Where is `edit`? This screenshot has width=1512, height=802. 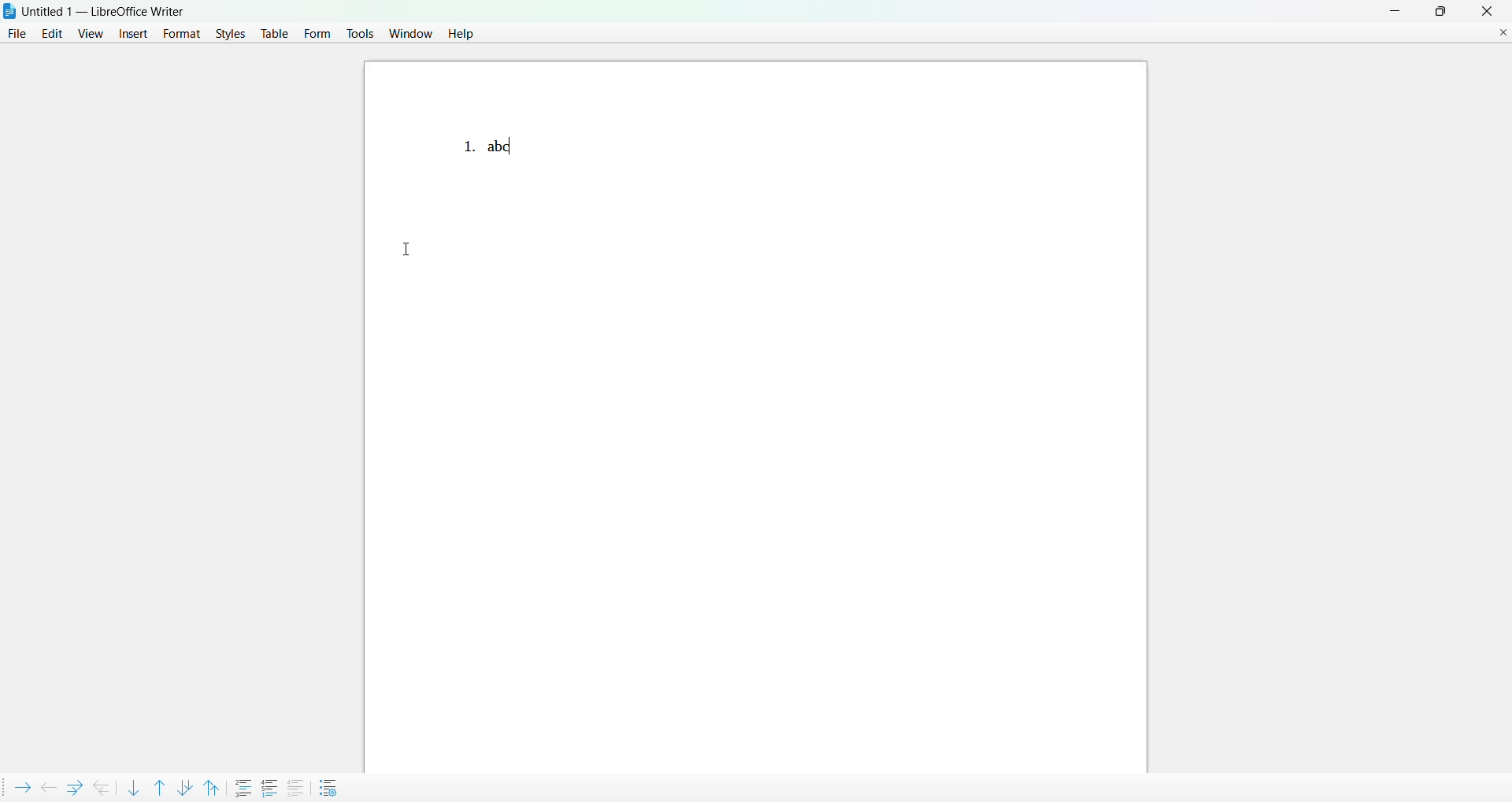
edit is located at coordinates (52, 35).